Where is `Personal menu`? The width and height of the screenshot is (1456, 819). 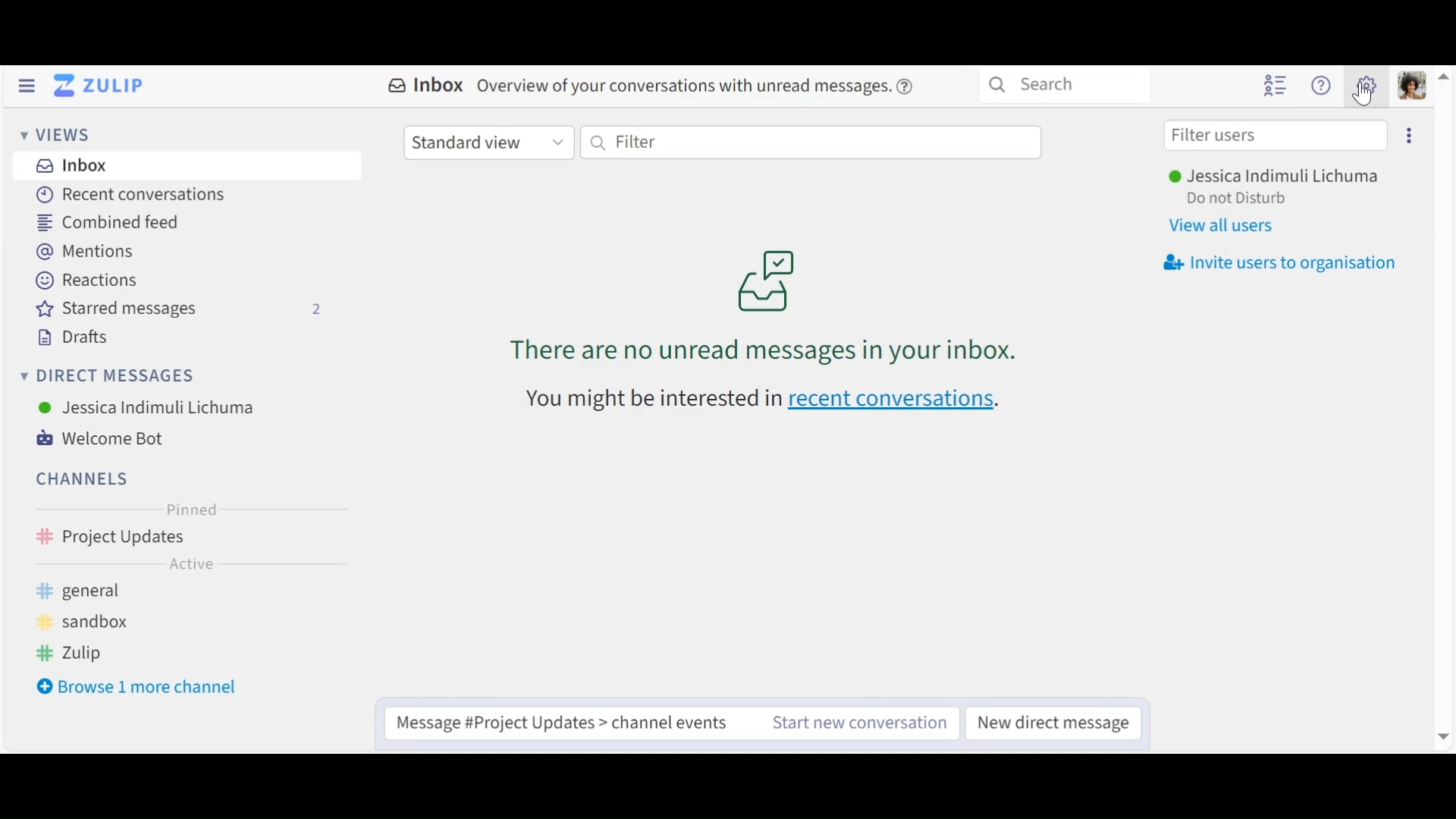
Personal menu is located at coordinates (1413, 86).